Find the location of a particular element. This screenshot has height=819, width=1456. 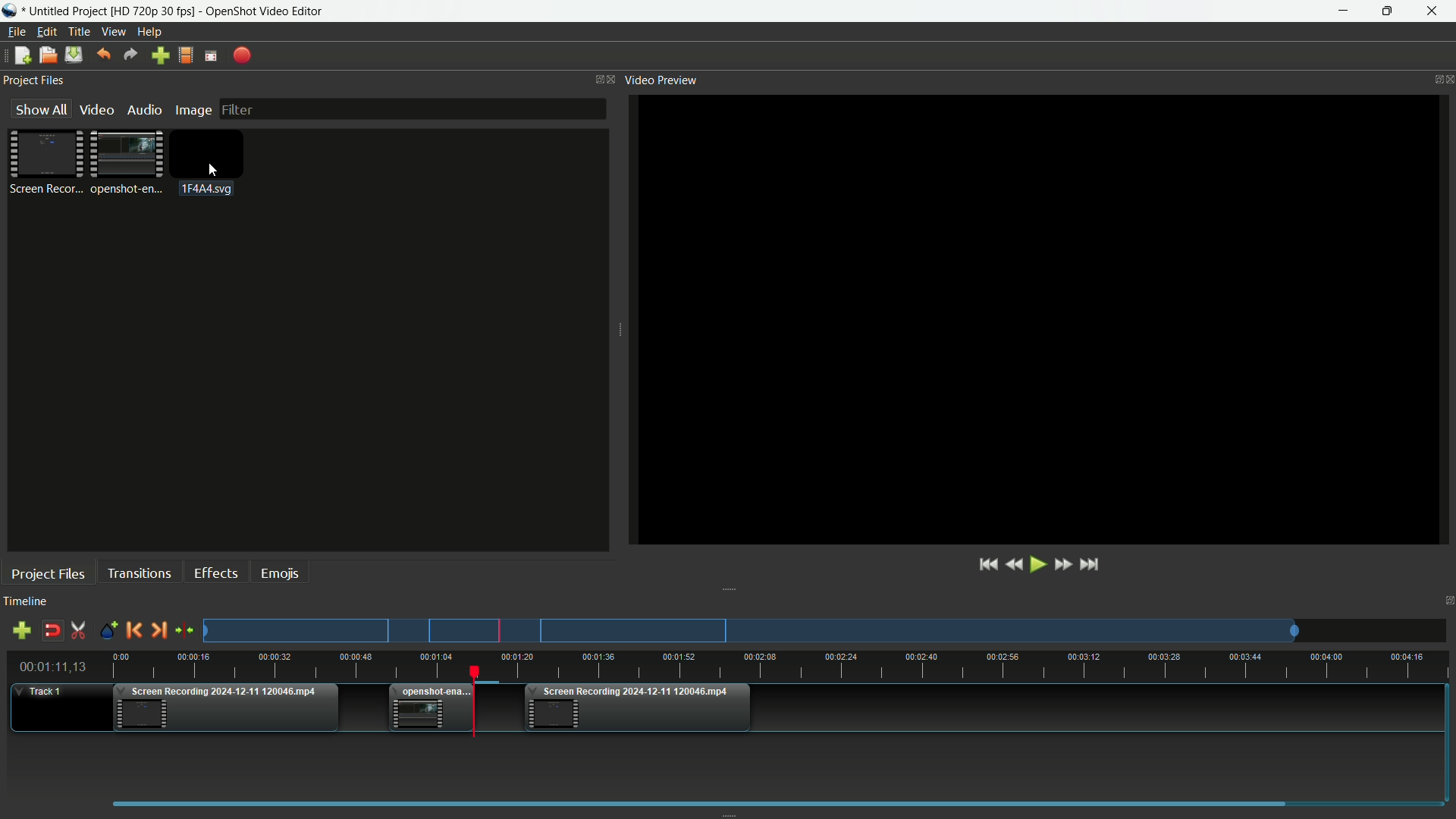

Jump to start is located at coordinates (986, 565).